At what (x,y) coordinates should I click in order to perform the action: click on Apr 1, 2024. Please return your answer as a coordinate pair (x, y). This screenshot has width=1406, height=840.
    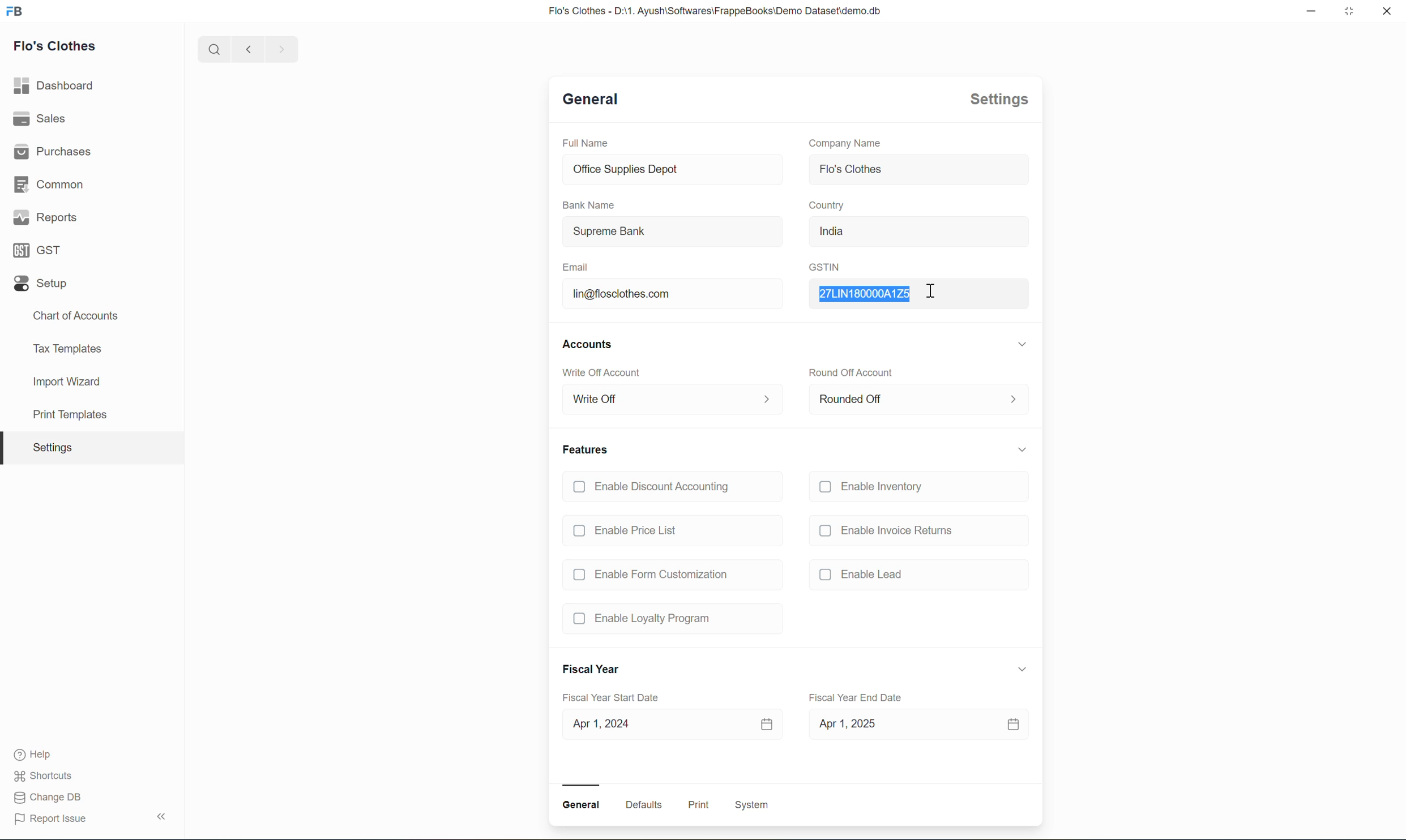
    Looking at the image, I should click on (653, 725).